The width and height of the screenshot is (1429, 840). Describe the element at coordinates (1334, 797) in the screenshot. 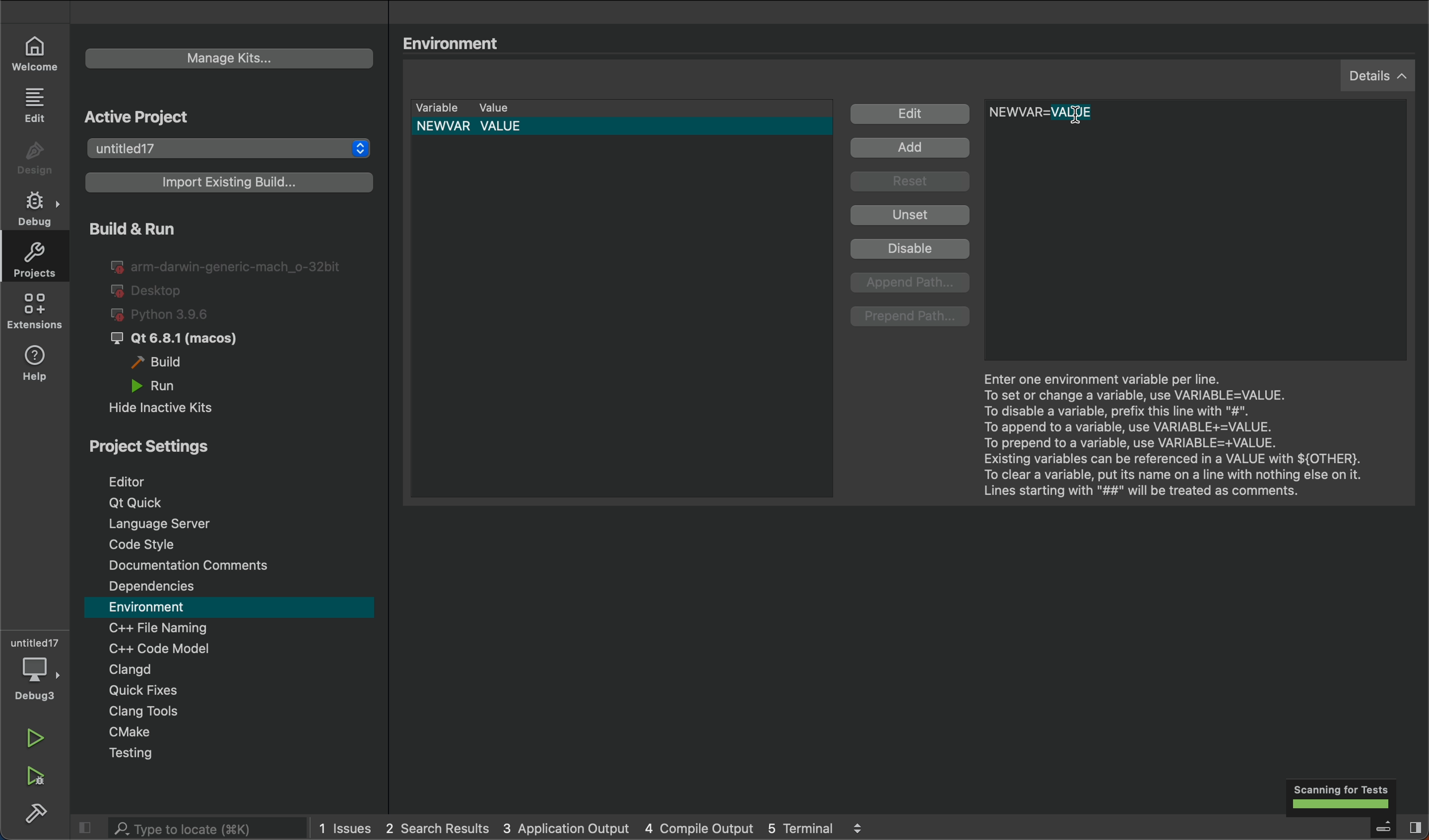

I see `scannings` at that location.